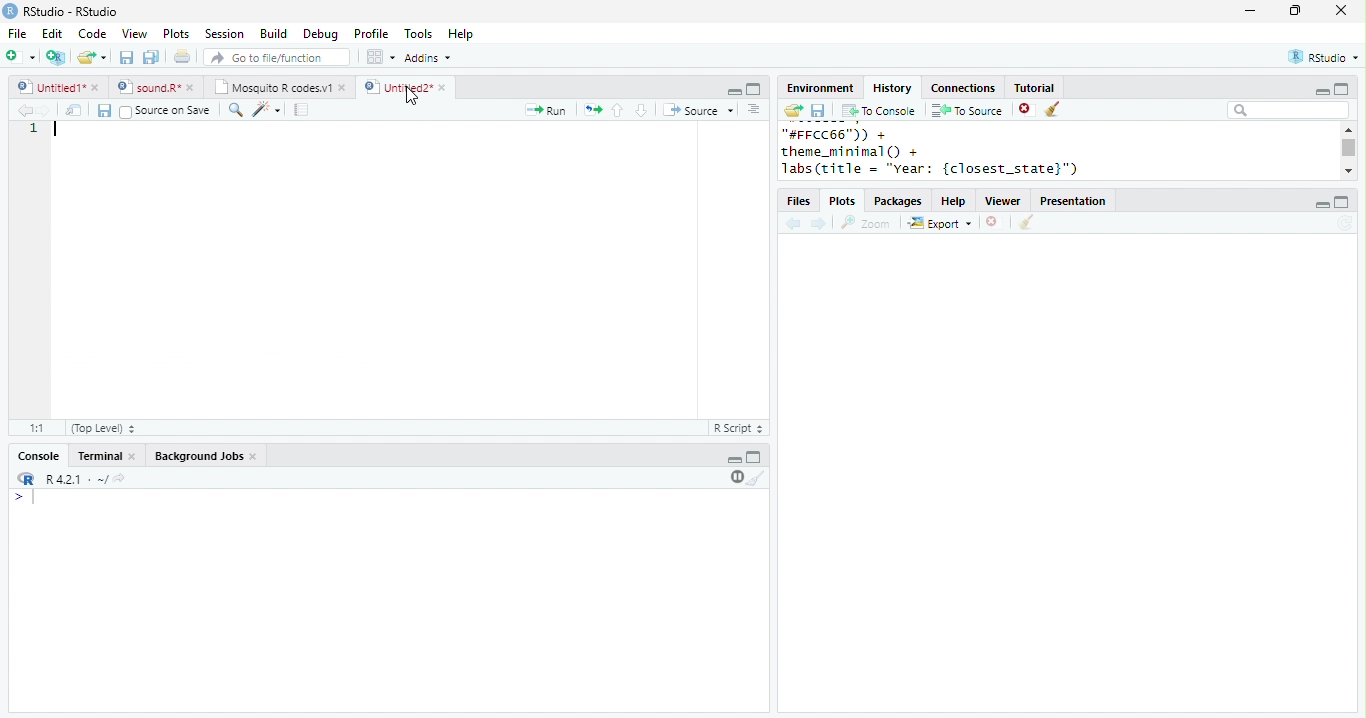 Image resolution: width=1366 pixels, height=718 pixels. I want to click on down, so click(640, 110).